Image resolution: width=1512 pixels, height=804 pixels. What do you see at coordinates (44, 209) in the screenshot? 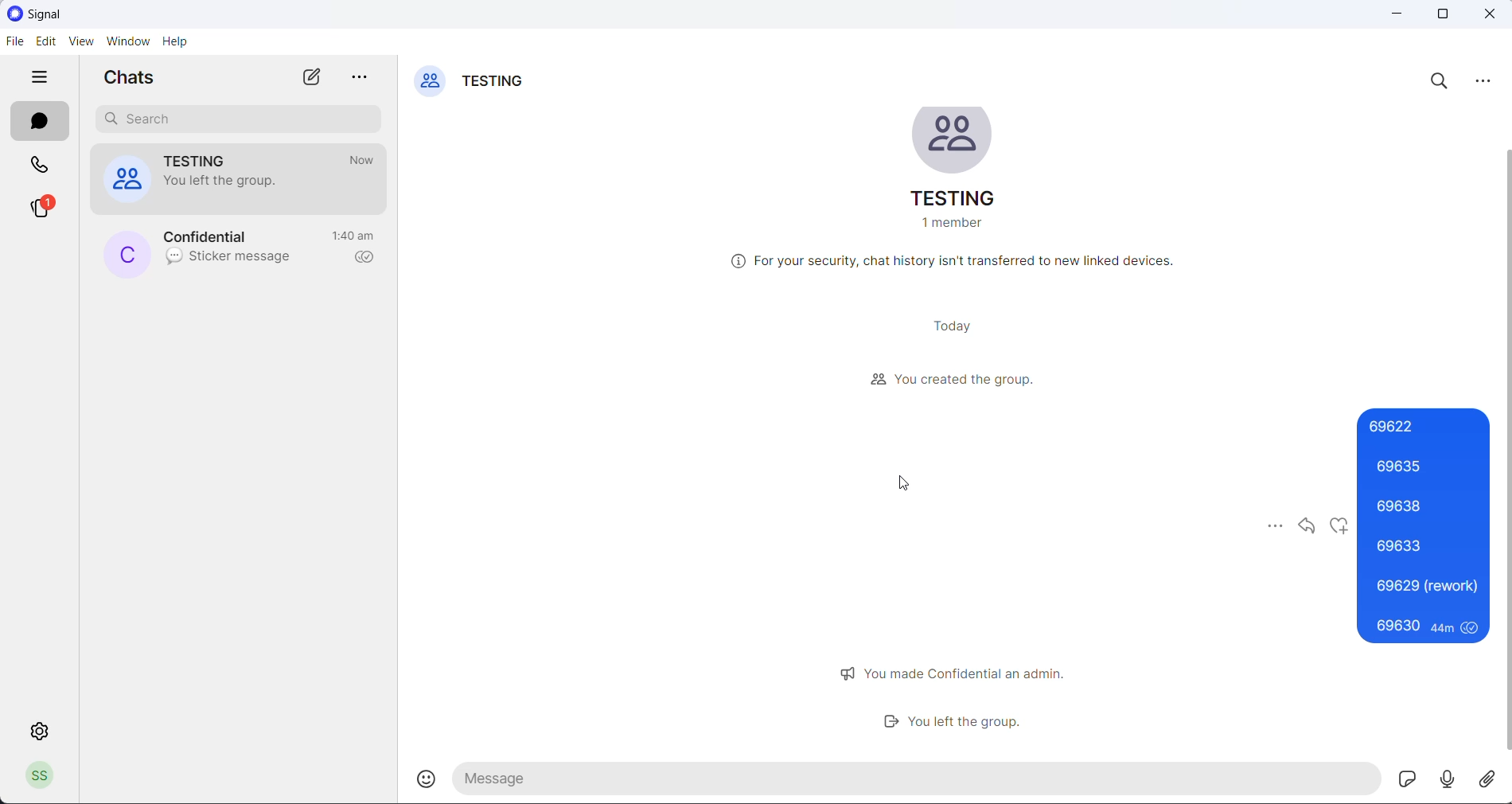
I see `stories` at bounding box center [44, 209].